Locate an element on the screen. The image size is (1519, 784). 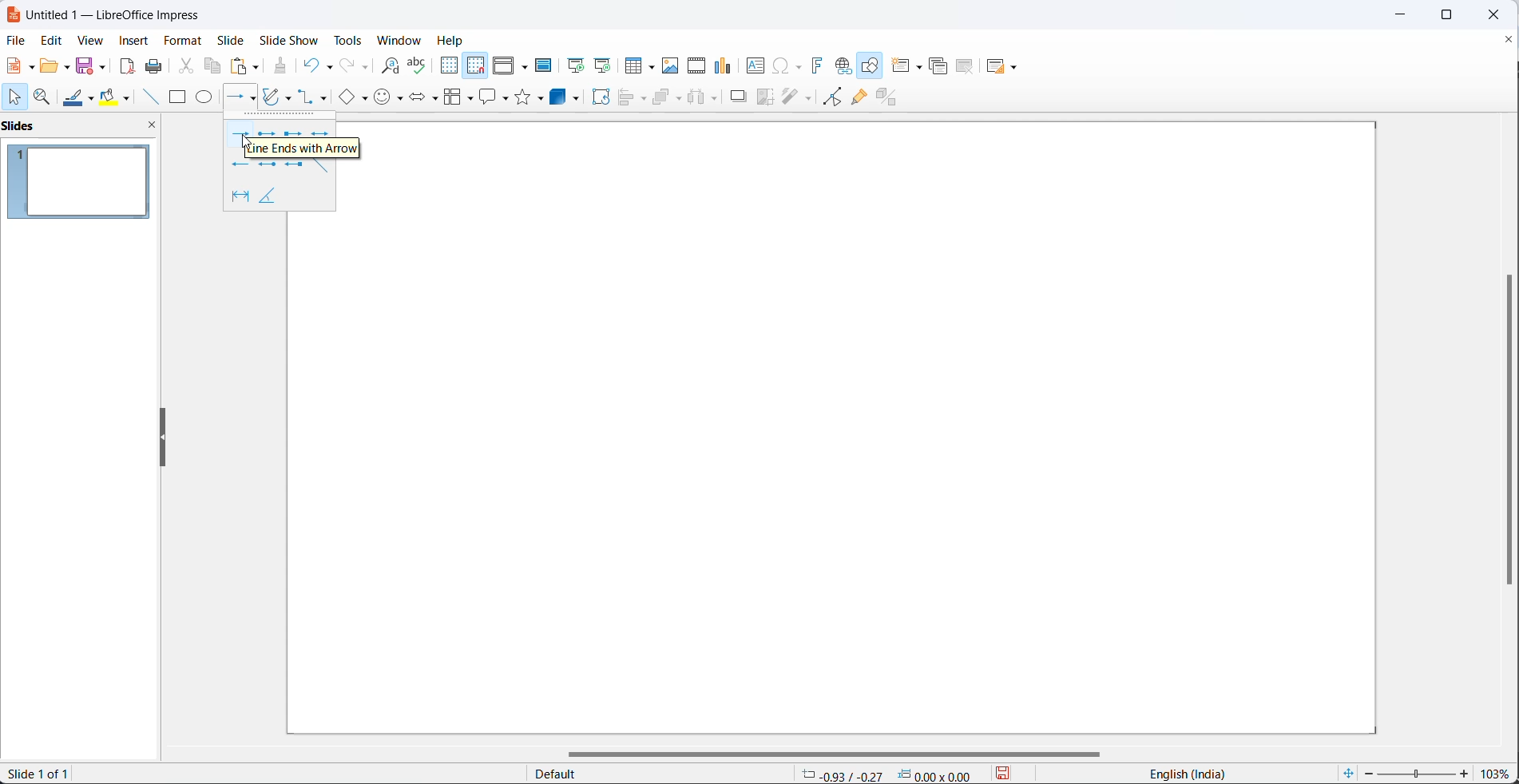
slide is located at coordinates (232, 40).